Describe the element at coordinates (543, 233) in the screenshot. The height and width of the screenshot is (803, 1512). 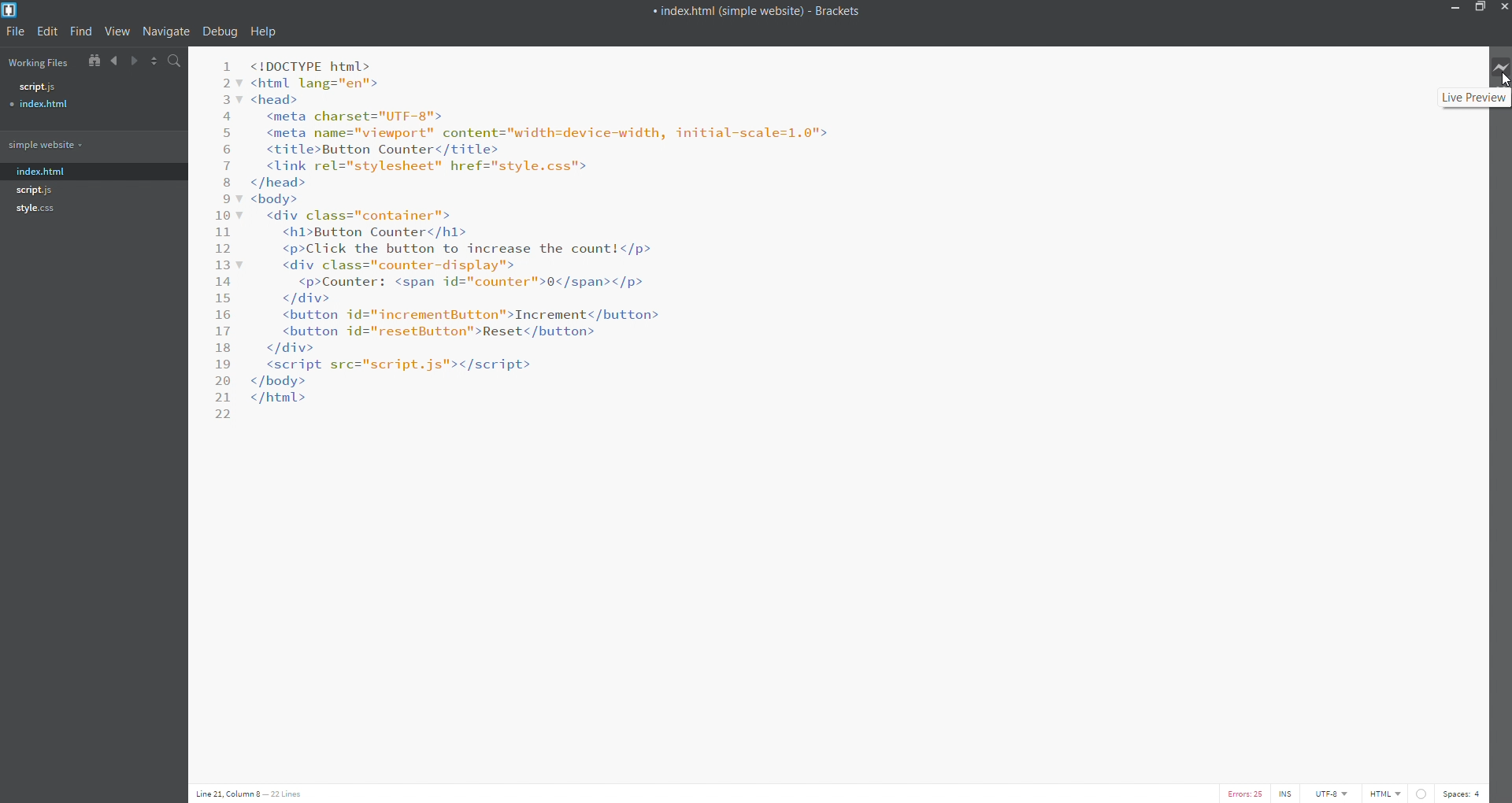
I see `code editor` at that location.